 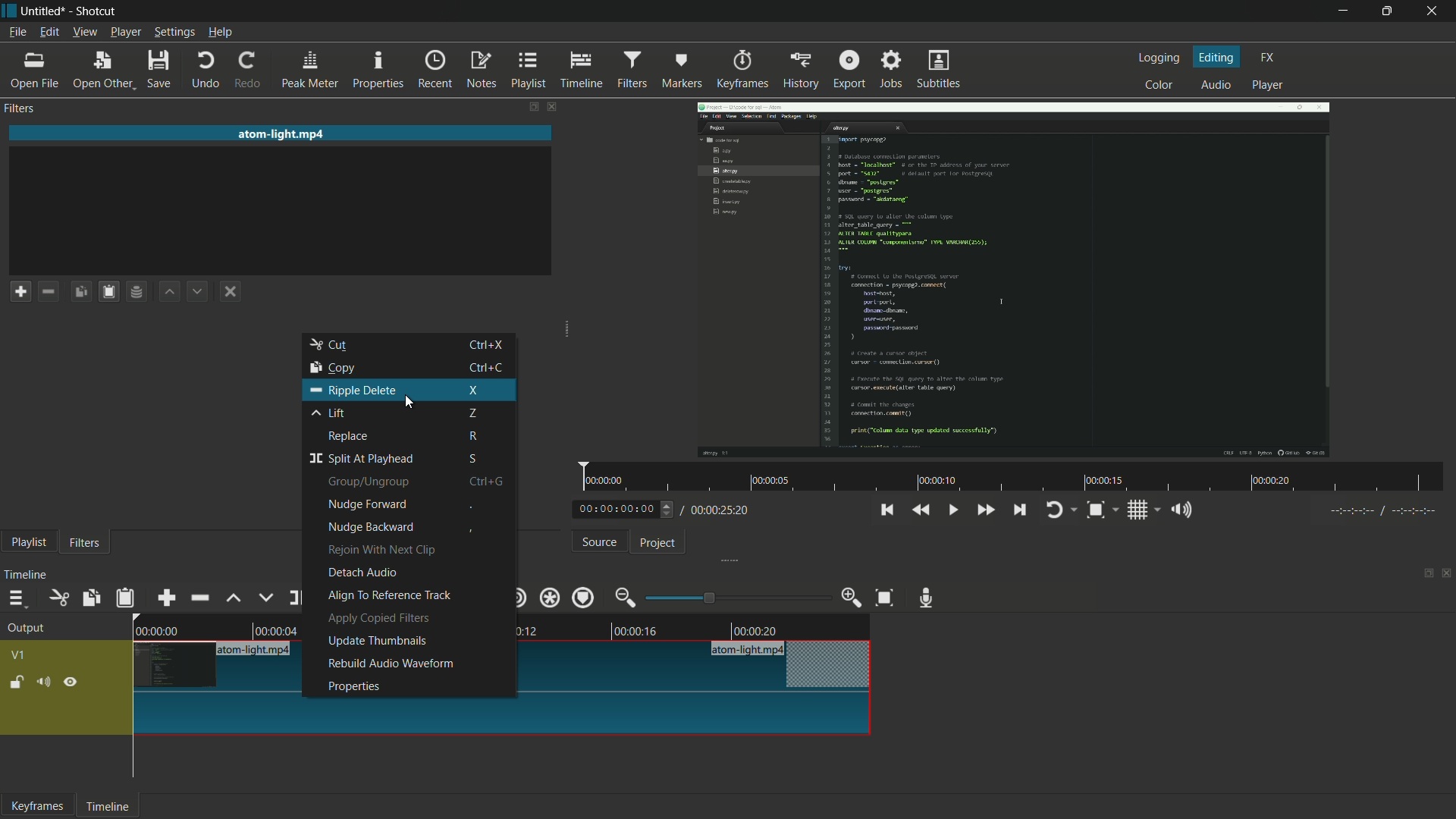 What do you see at coordinates (435, 69) in the screenshot?
I see `recent` at bounding box center [435, 69].